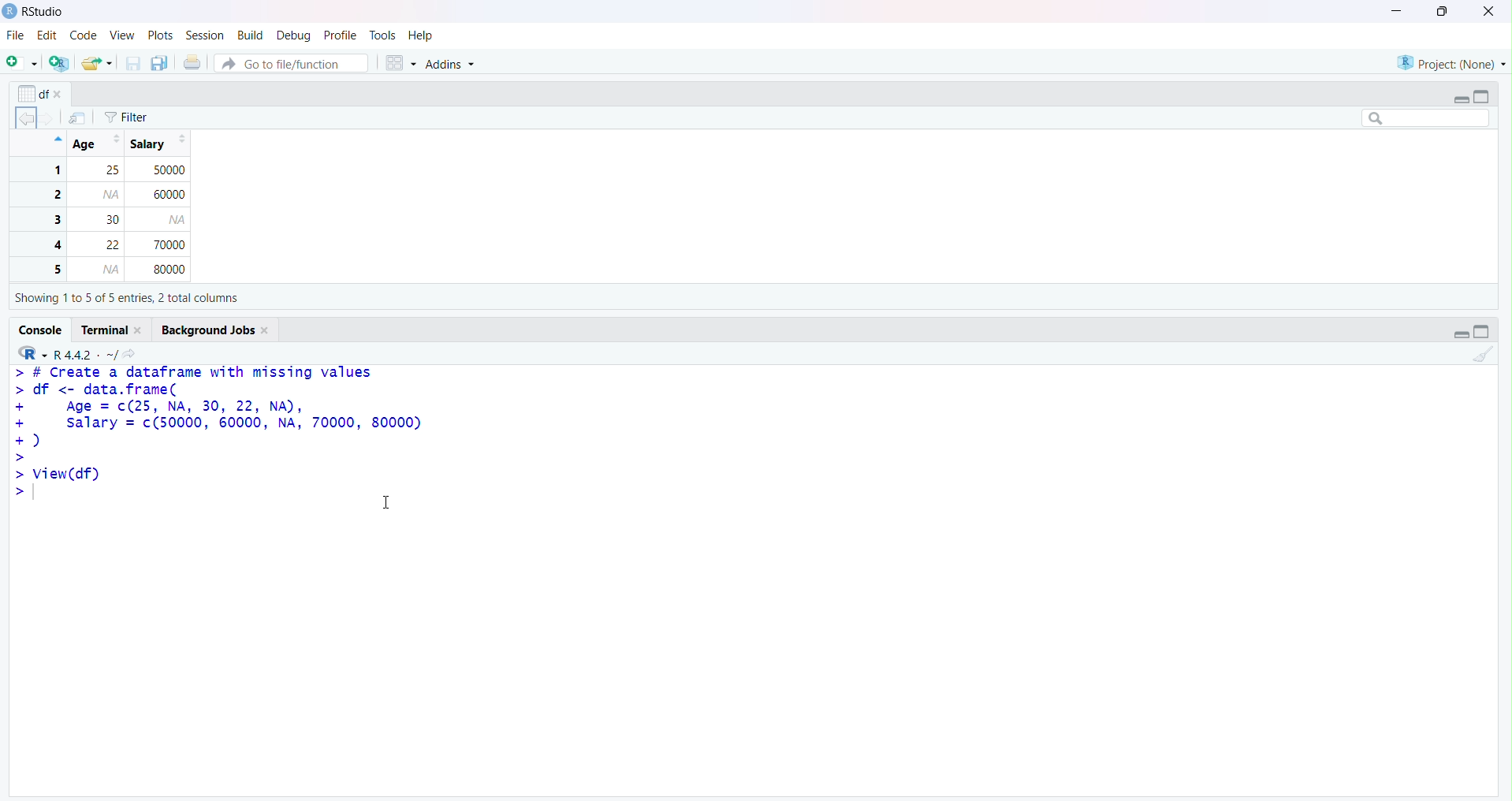  I want to click on Minimize, so click(1395, 10).